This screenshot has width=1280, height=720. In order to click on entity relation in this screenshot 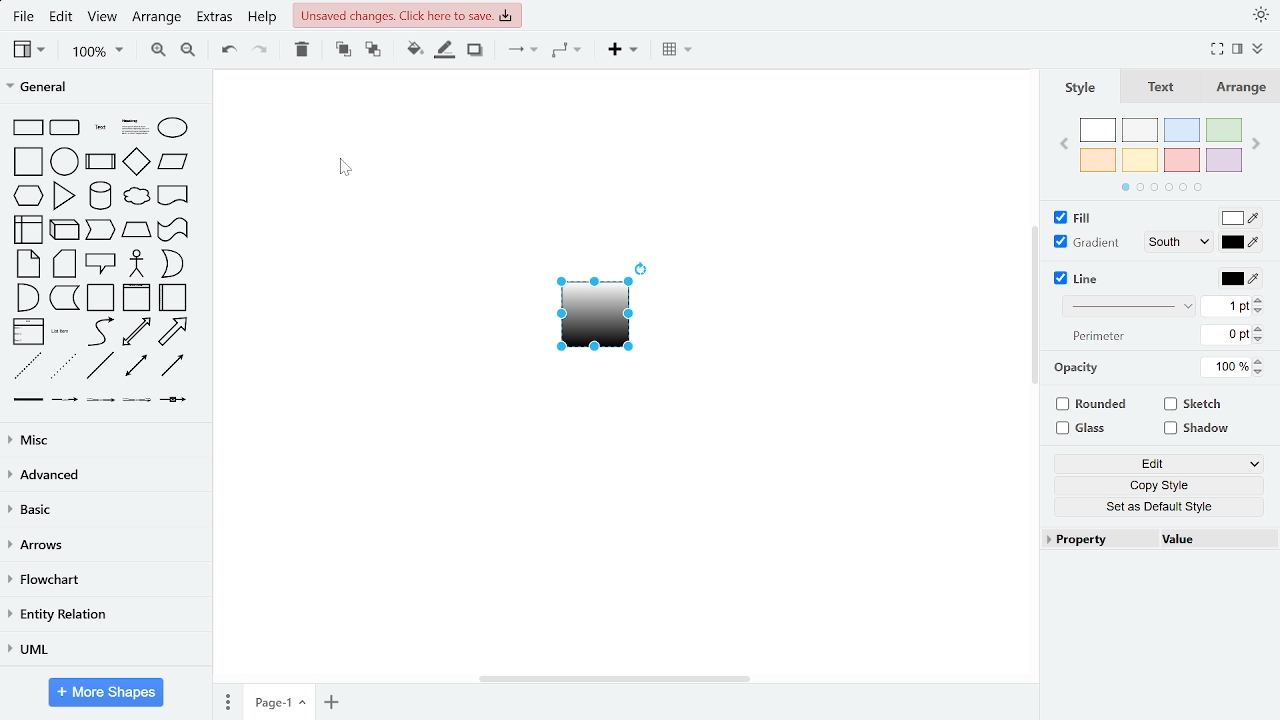, I will do `click(103, 614)`.